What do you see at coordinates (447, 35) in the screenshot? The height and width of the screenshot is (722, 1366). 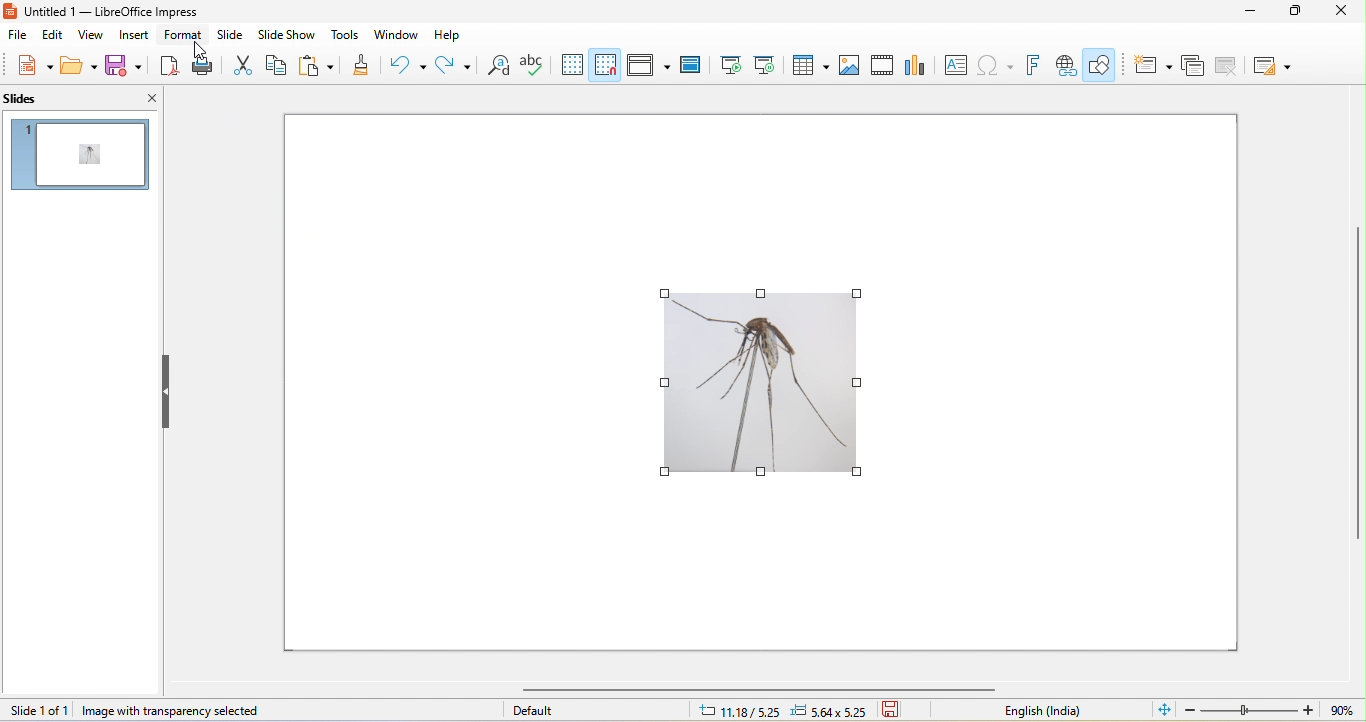 I see `help` at bounding box center [447, 35].